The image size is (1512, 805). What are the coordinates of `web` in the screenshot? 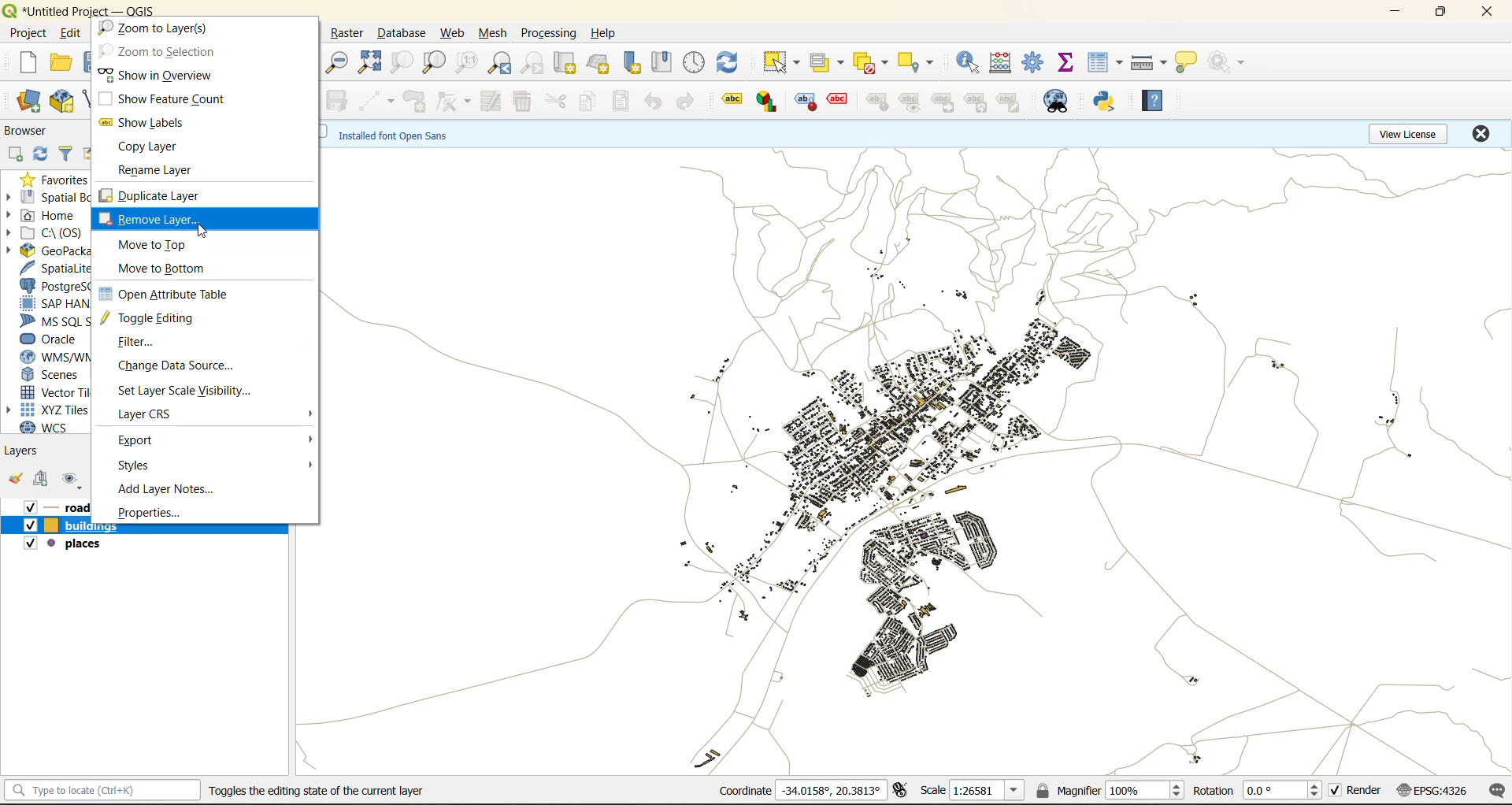 It's located at (451, 35).